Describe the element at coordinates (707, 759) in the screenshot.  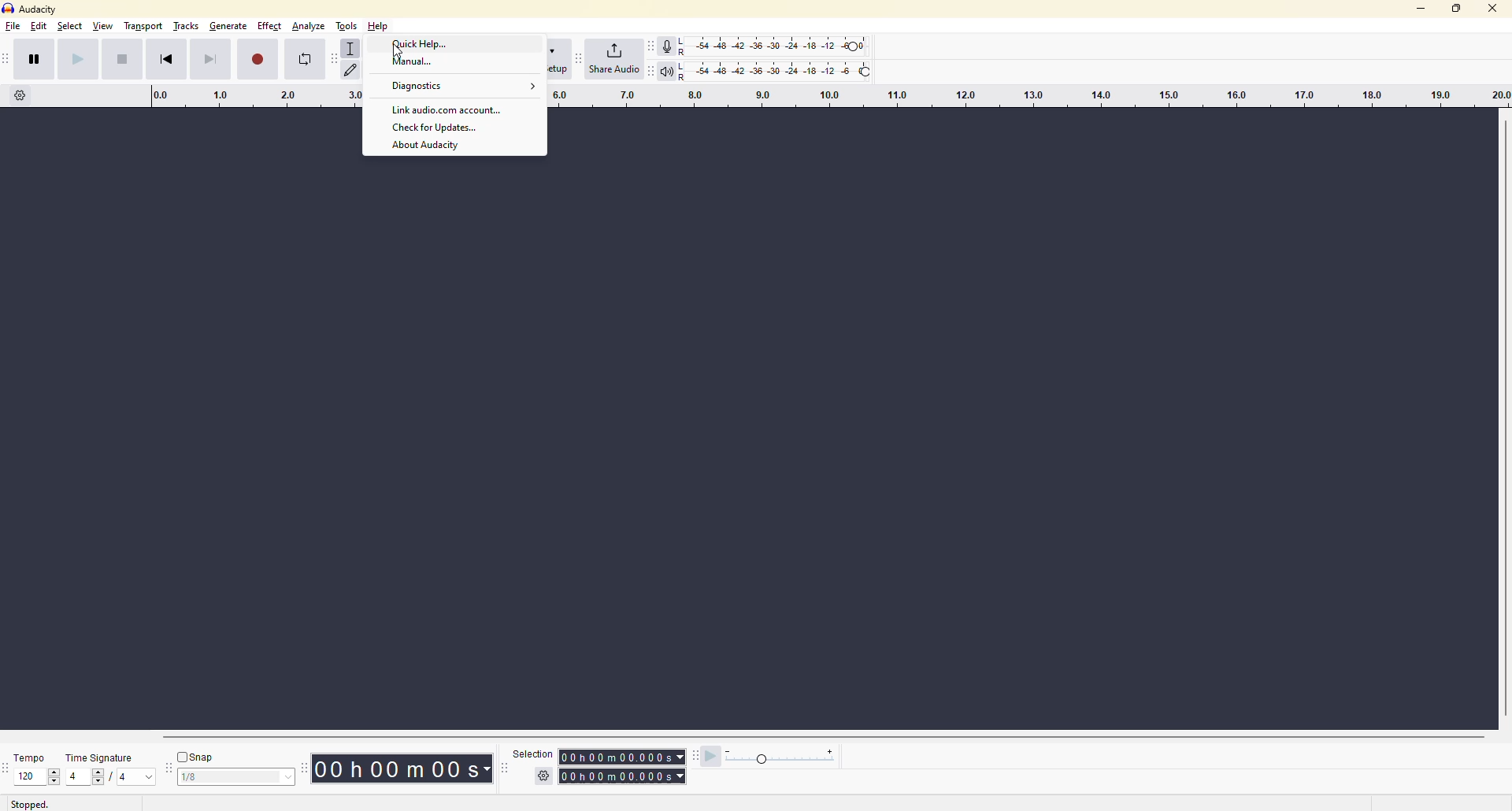
I see `play at speed` at that location.